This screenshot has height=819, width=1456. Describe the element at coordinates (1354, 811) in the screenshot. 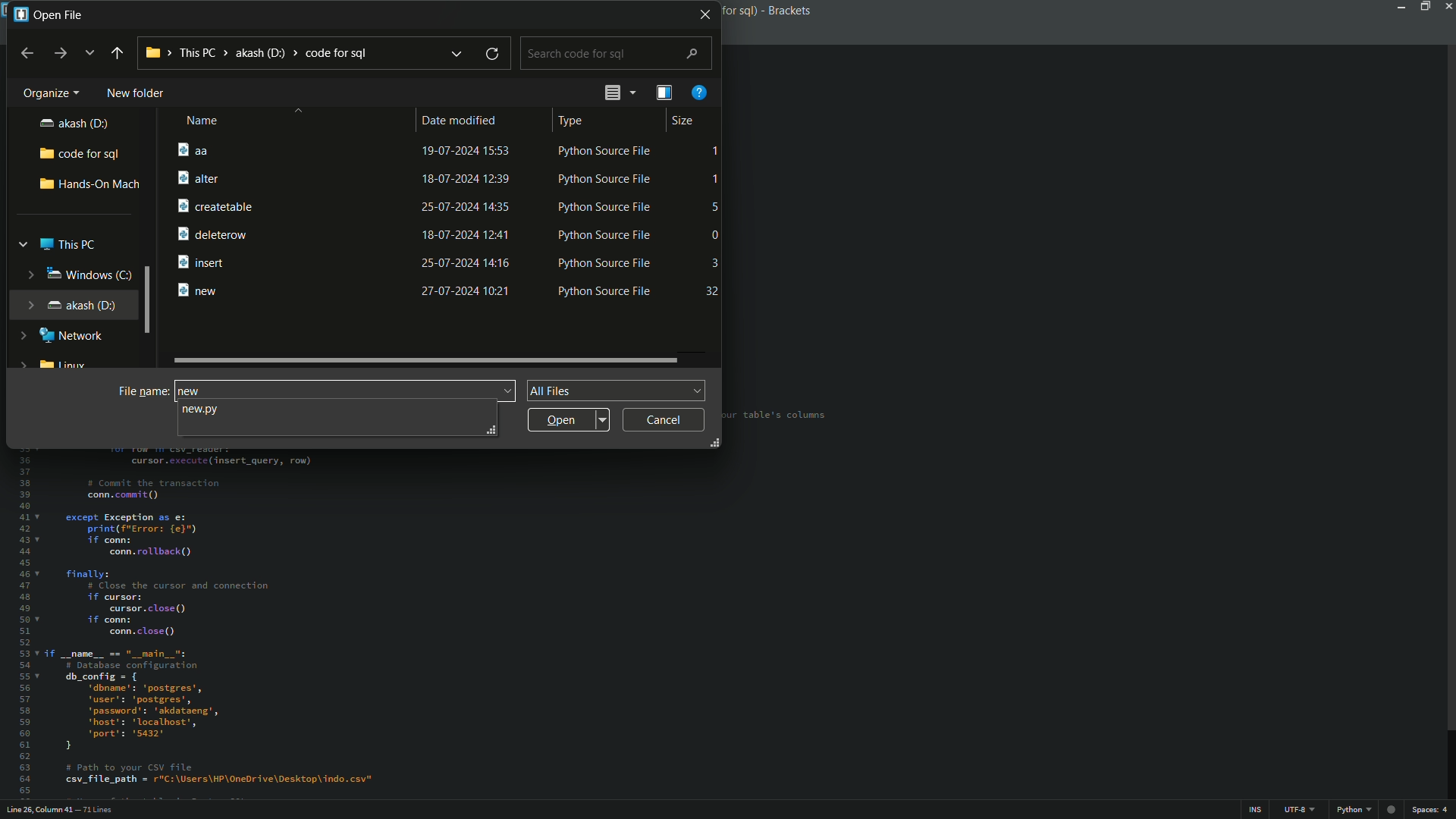

I see `file format` at that location.